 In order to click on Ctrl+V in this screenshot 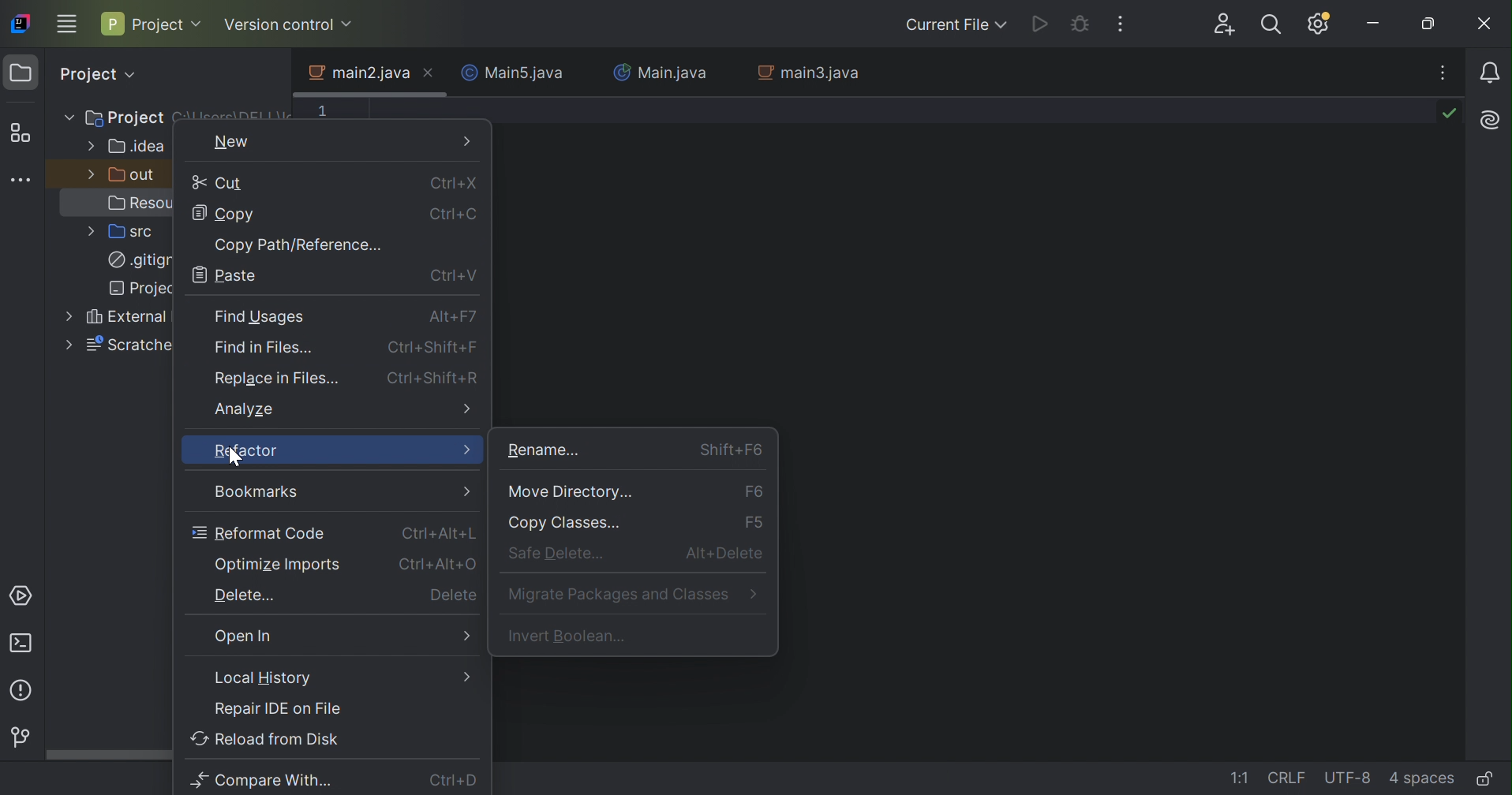, I will do `click(457, 277)`.